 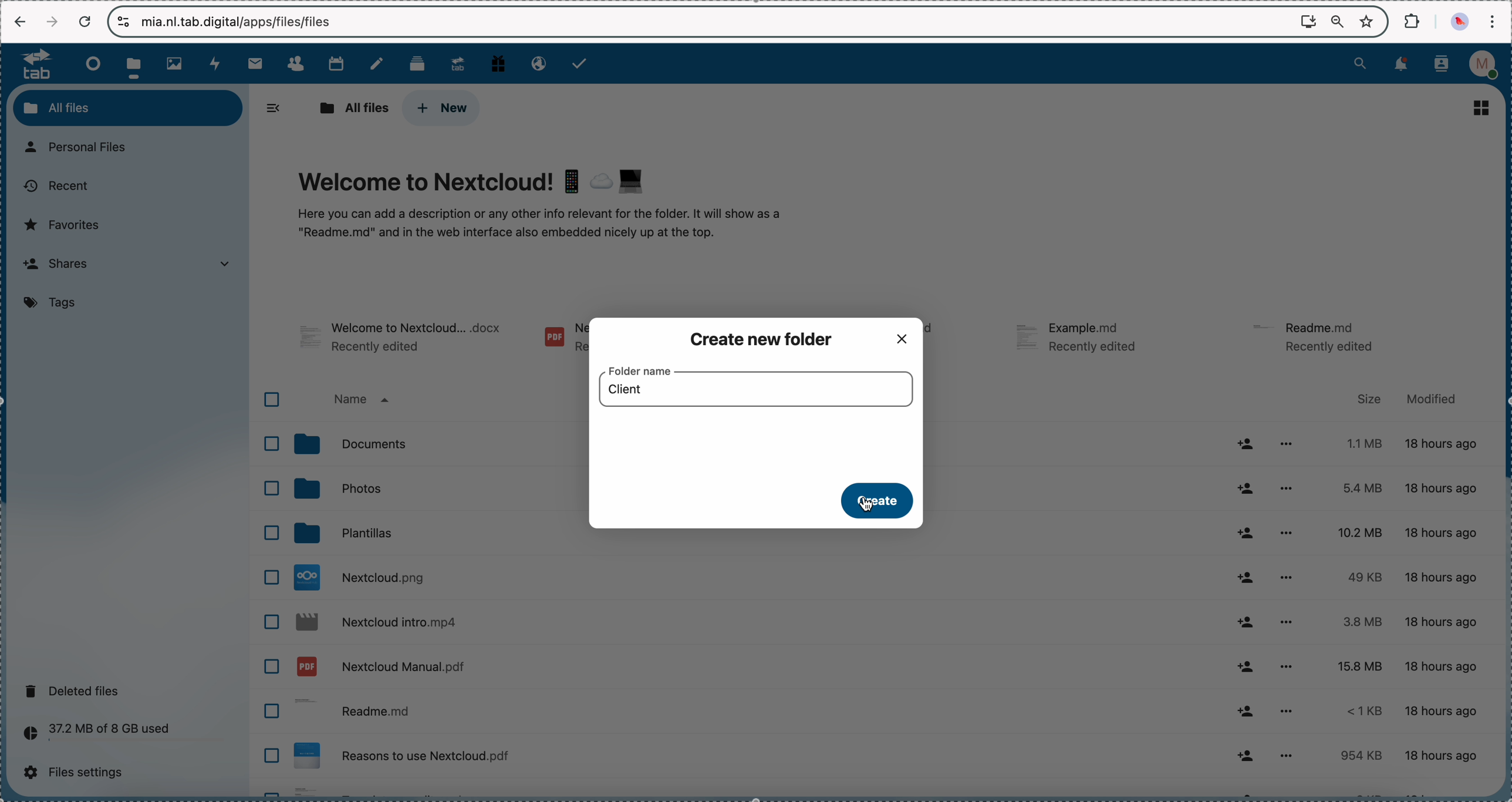 I want to click on file, so click(x=754, y=621).